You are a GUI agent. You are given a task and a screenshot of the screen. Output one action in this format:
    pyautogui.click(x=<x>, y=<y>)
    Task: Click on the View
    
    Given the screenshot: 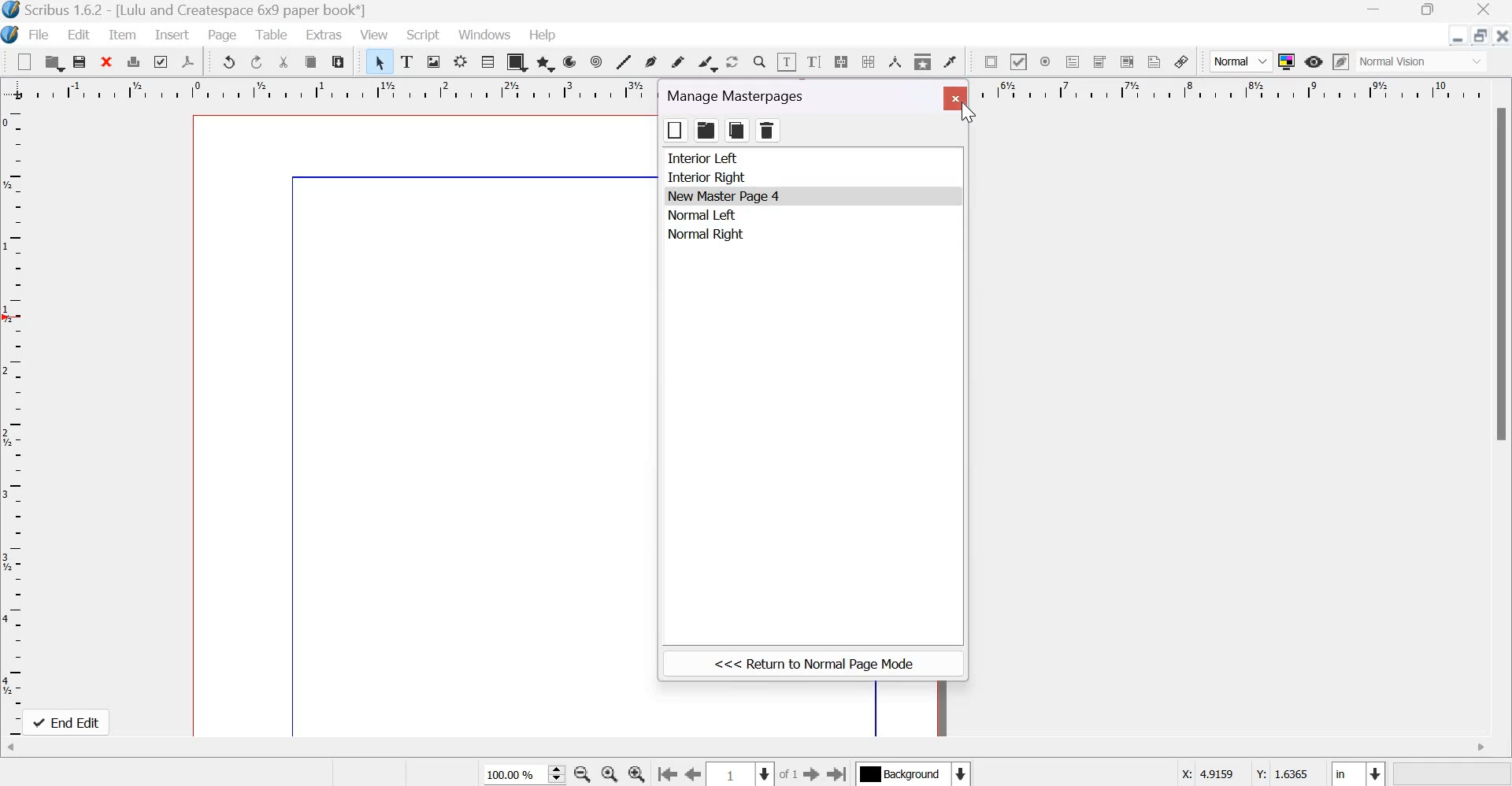 What is the action you would take?
    pyautogui.click(x=373, y=34)
    